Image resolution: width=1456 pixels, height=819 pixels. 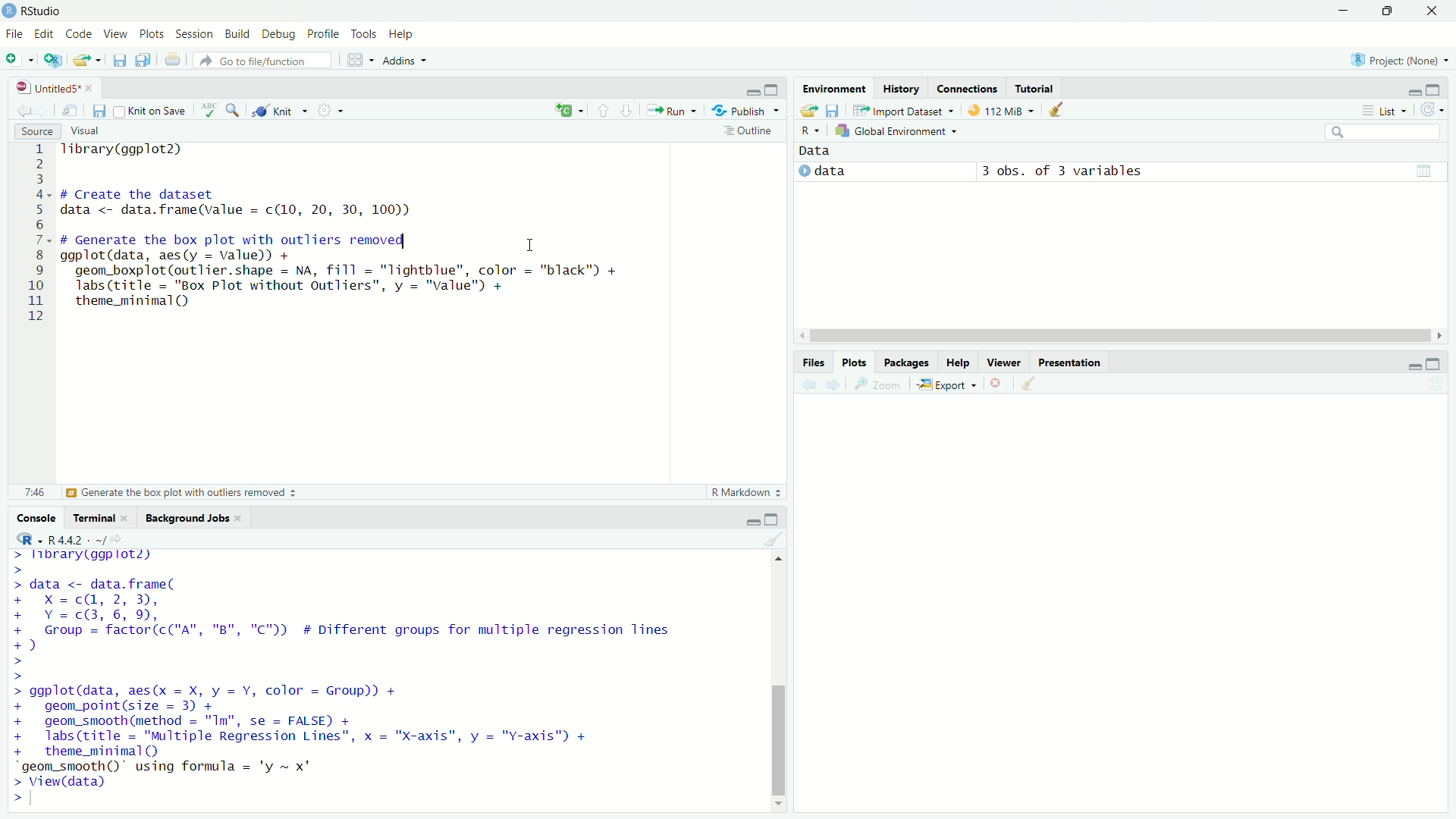 What do you see at coordinates (144, 61) in the screenshot?
I see `copy` at bounding box center [144, 61].